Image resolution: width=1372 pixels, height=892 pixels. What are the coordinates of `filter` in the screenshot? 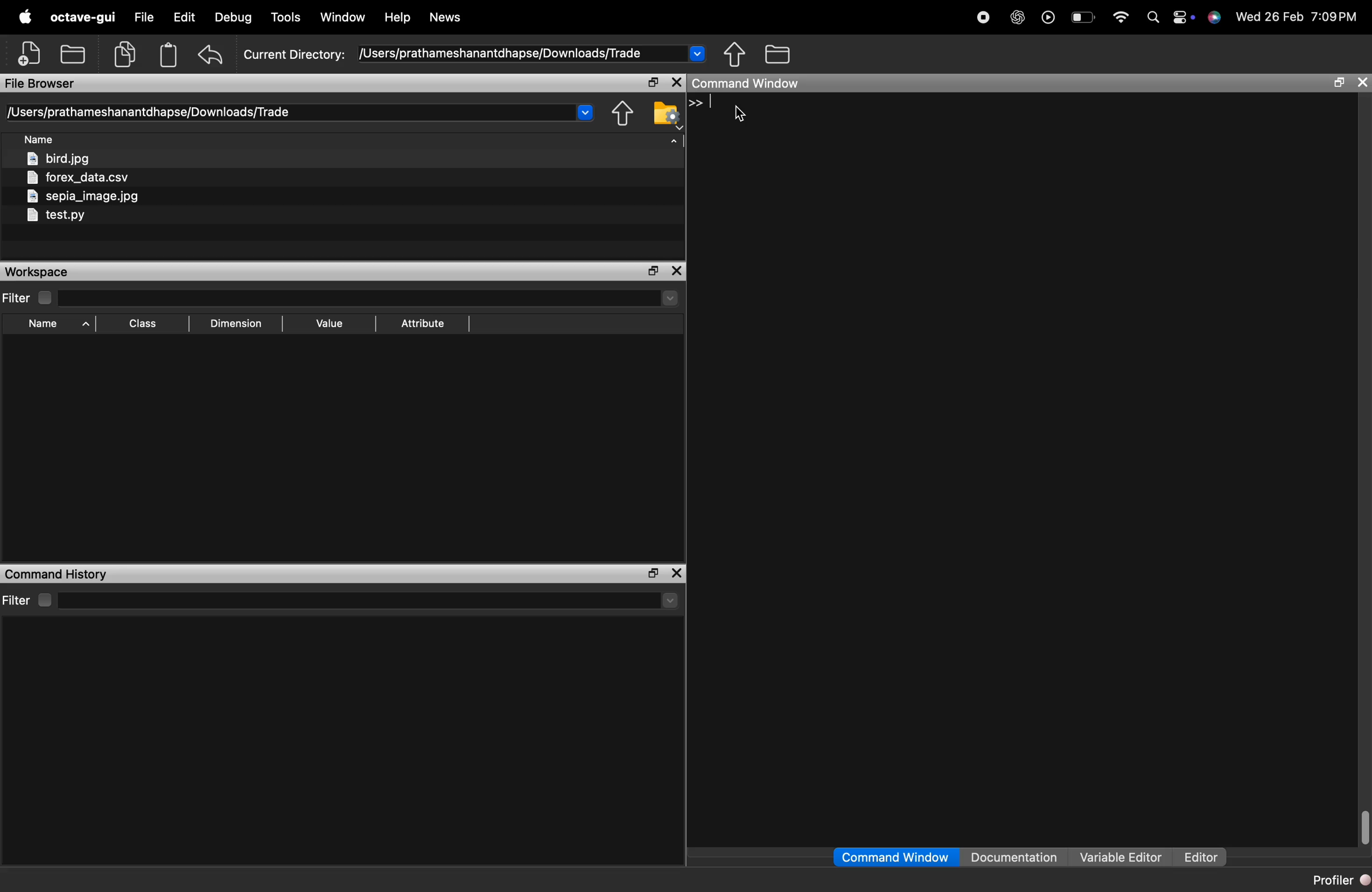 It's located at (29, 297).